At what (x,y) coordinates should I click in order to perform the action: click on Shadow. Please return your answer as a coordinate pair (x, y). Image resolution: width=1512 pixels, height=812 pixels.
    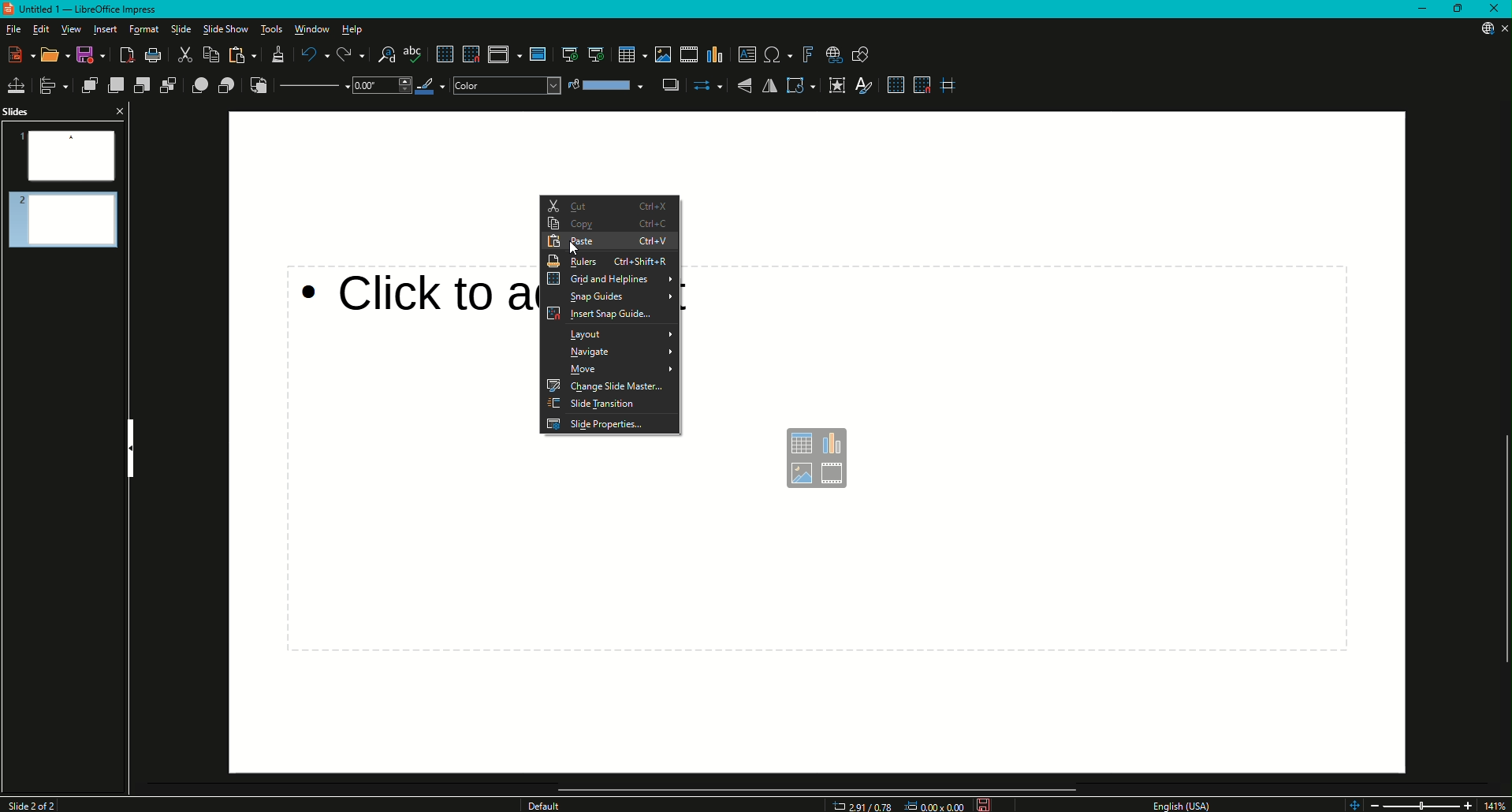
    Looking at the image, I should click on (670, 85).